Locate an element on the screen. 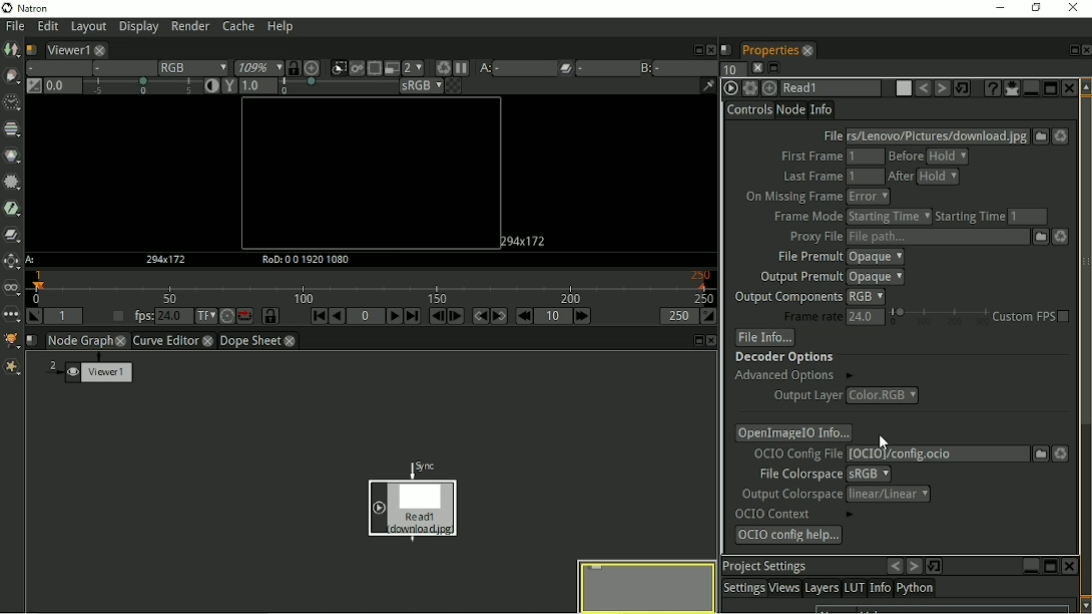 The height and width of the screenshot is (614, 1092). Layout is located at coordinates (88, 27).